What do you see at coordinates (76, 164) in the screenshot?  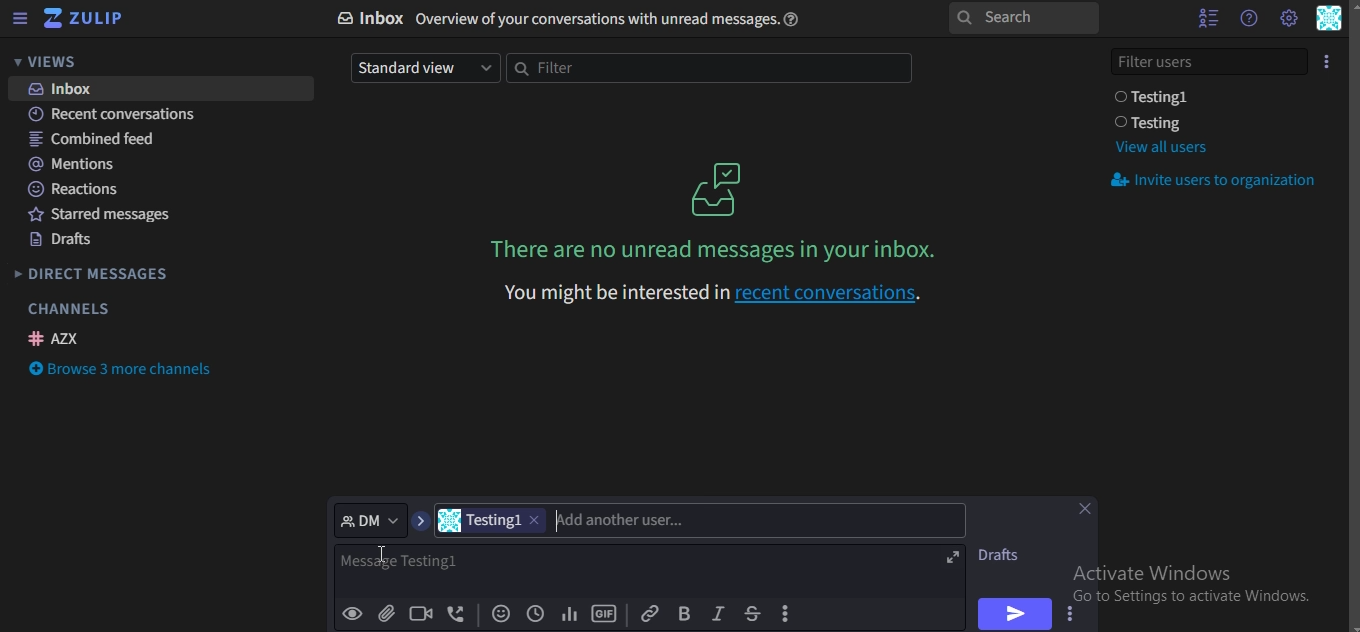 I see `mentions` at bounding box center [76, 164].